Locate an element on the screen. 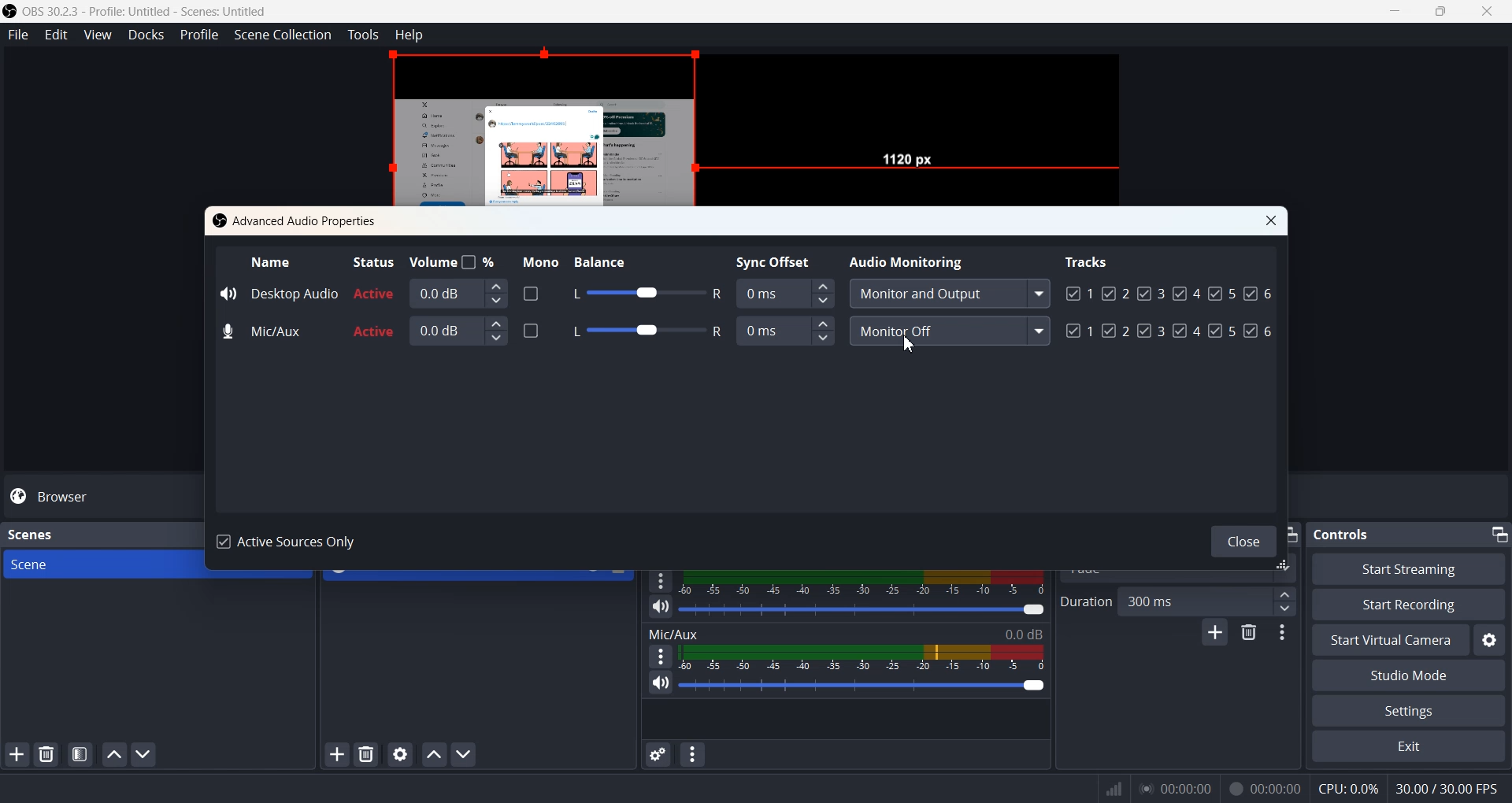  Tracks is located at coordinates (1088, 261).